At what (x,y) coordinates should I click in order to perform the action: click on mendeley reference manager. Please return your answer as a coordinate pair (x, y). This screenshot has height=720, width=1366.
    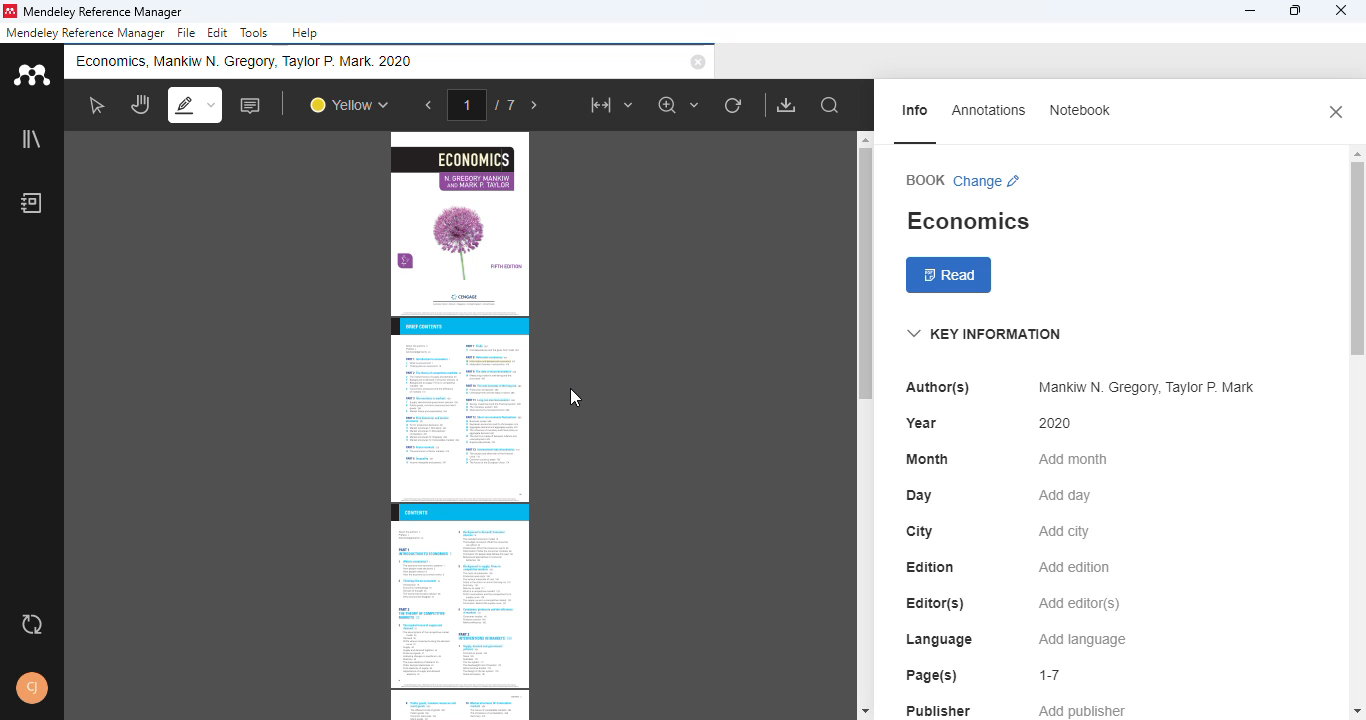
    Looking at the image, I should click on (85, 33).